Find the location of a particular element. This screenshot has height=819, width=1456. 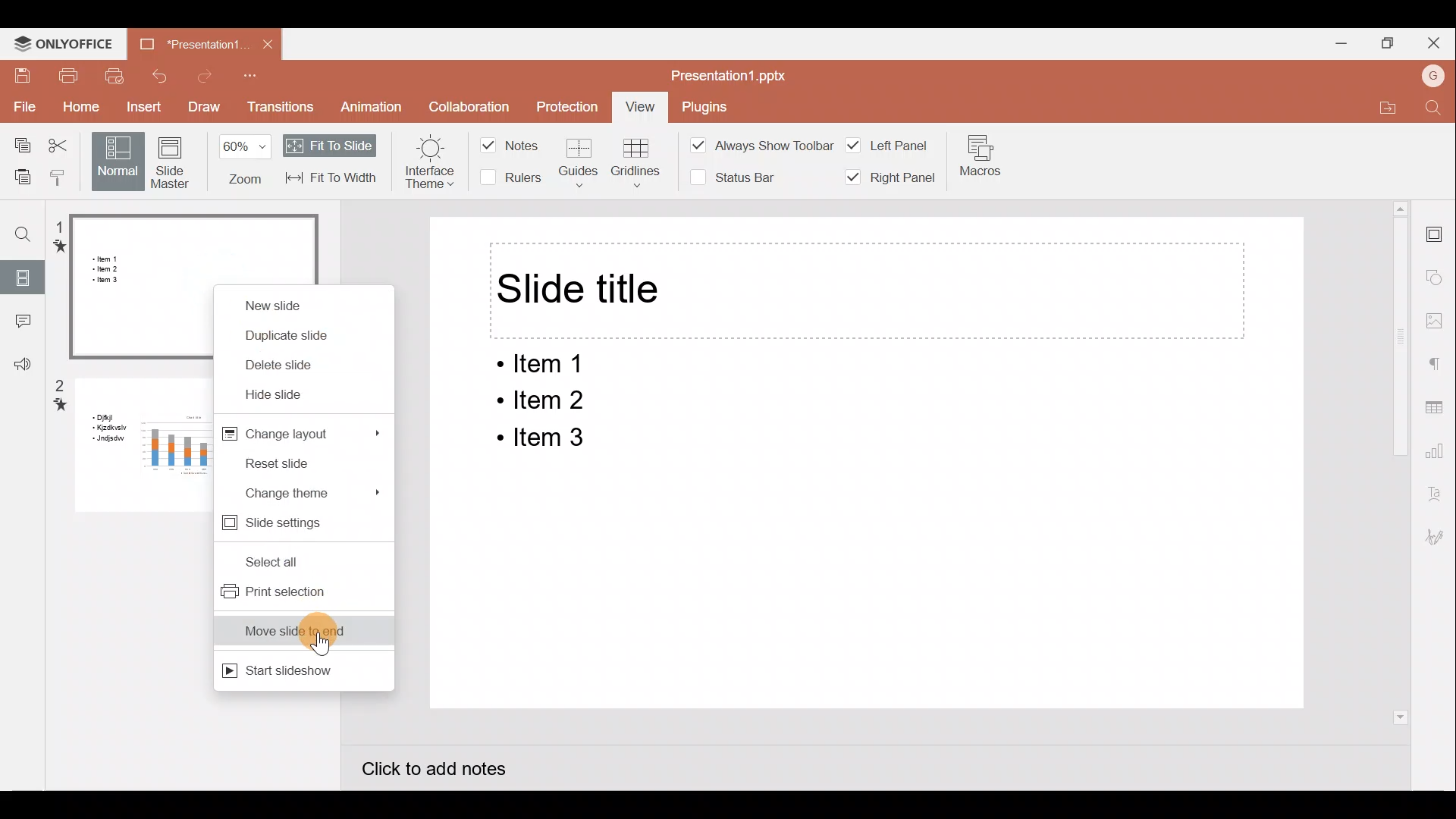

View is located at coordinates (643, 105).